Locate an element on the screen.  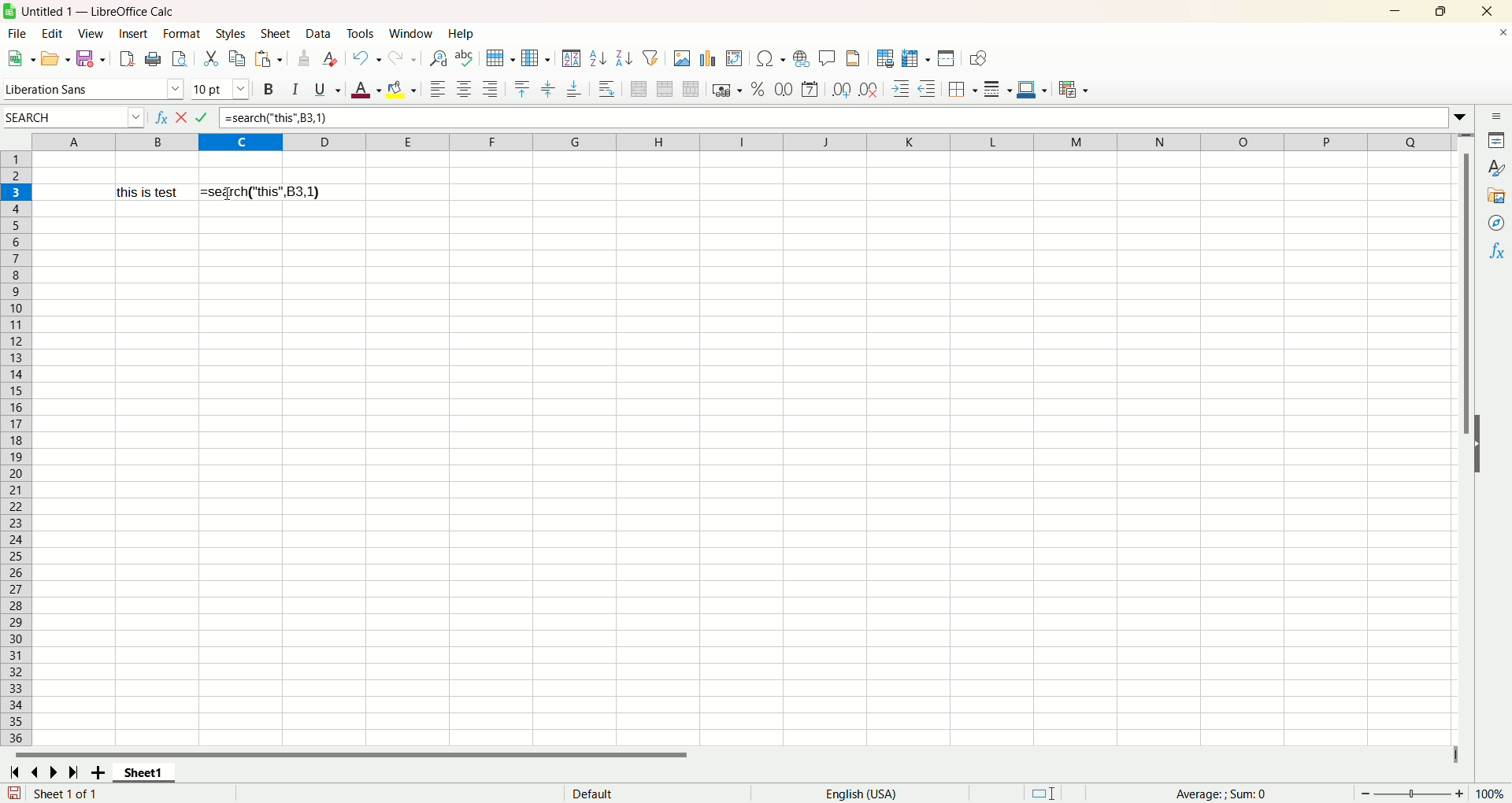
show is located at coordinates (1480, 443).